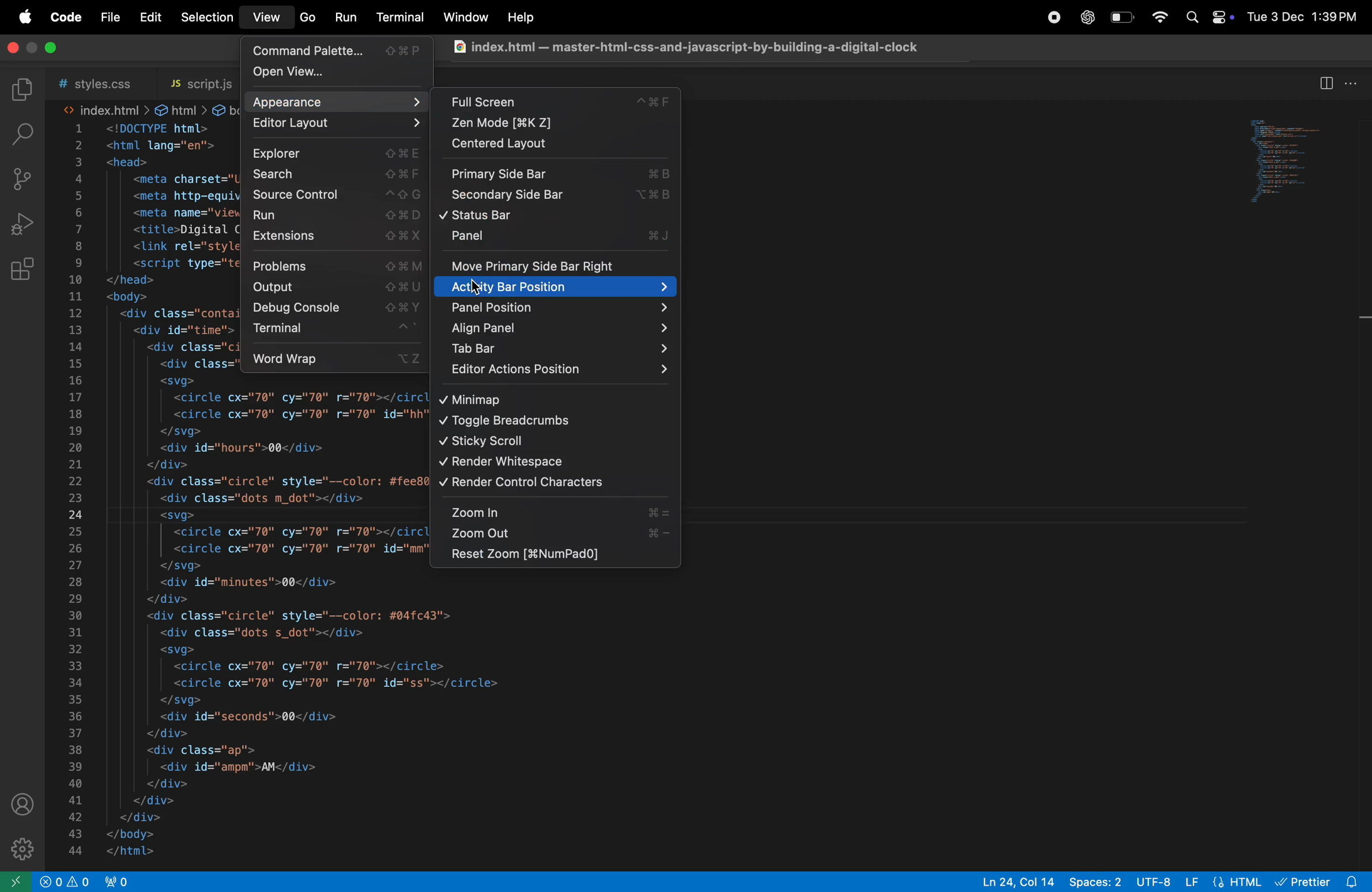 The height and width of the screenshot is (892, 1372). I want to click on apperance, so click(339, 101).